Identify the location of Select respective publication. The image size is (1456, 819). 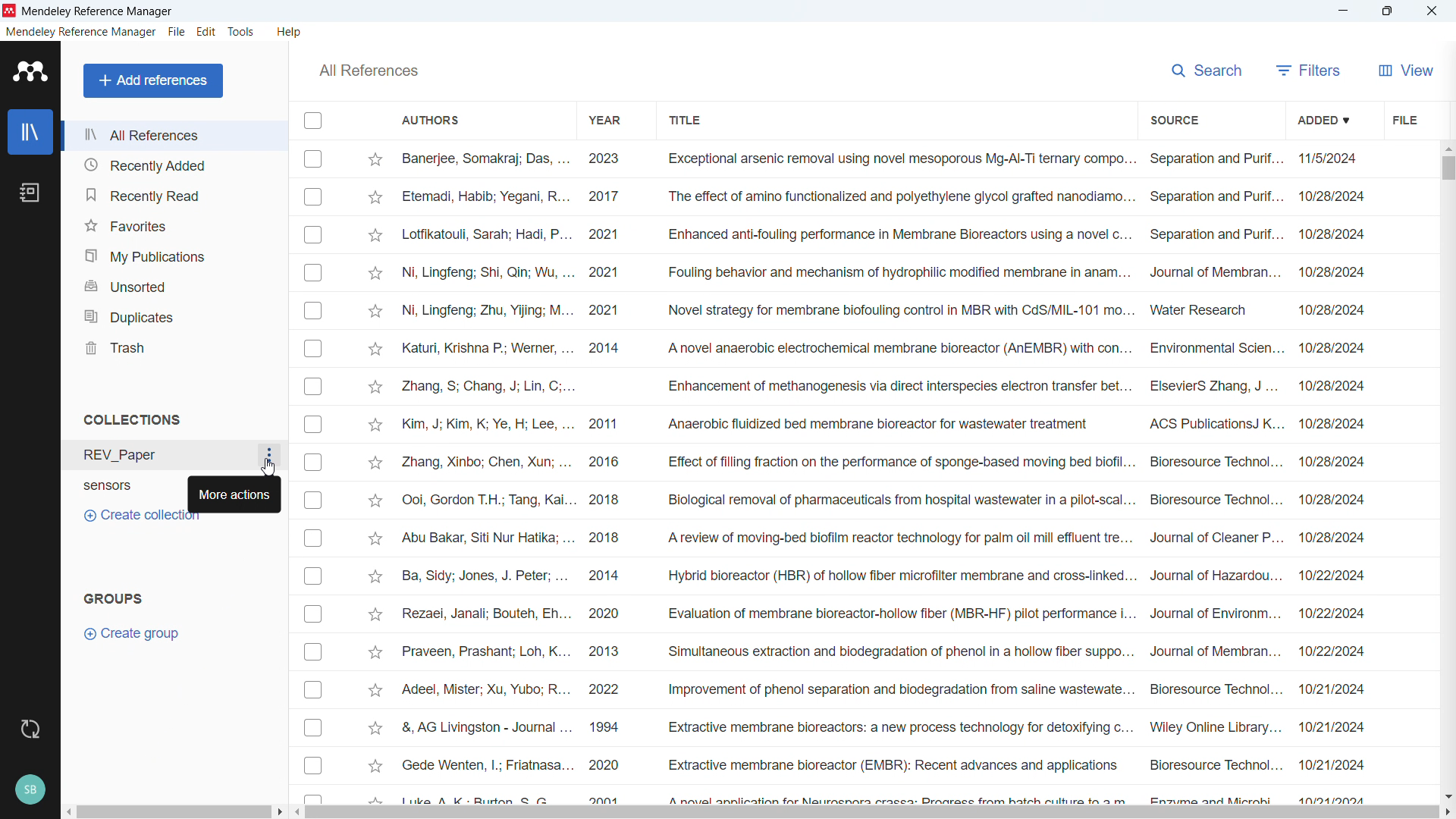
(312, 538).